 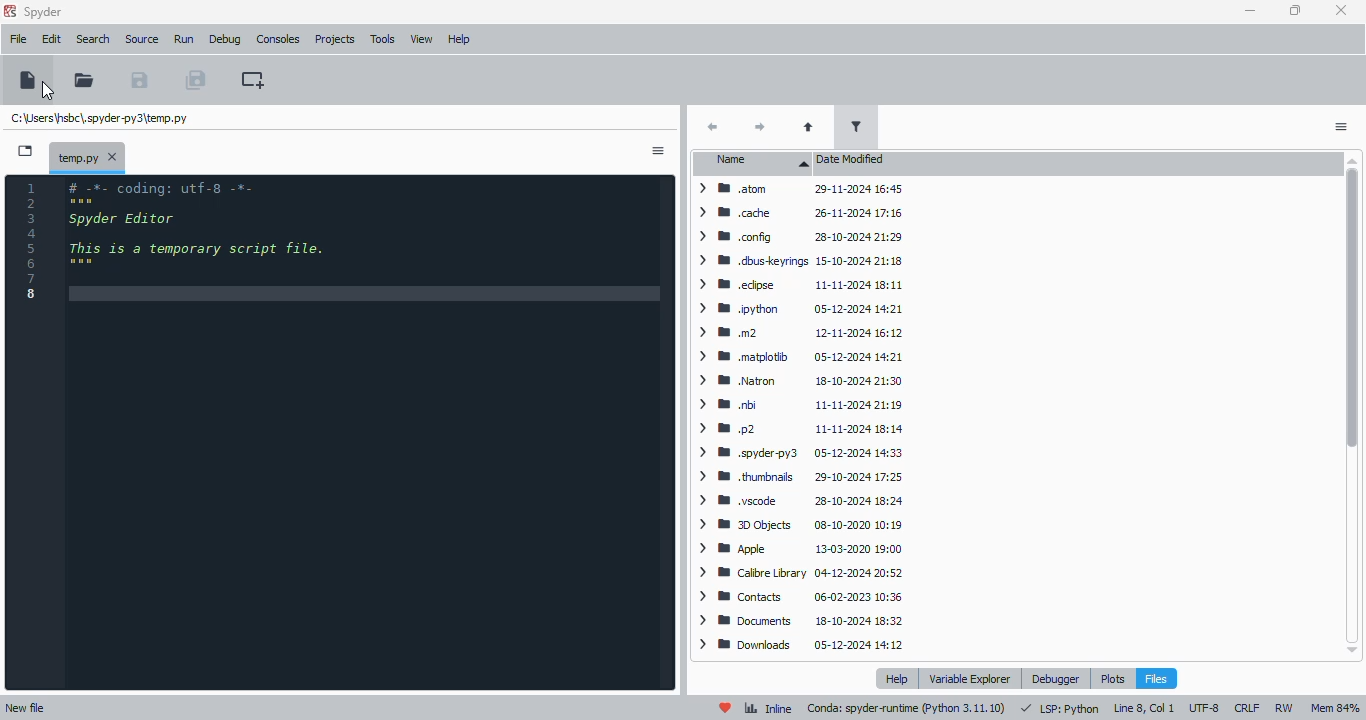 I want to click on parent, so click(x=809, y=127).